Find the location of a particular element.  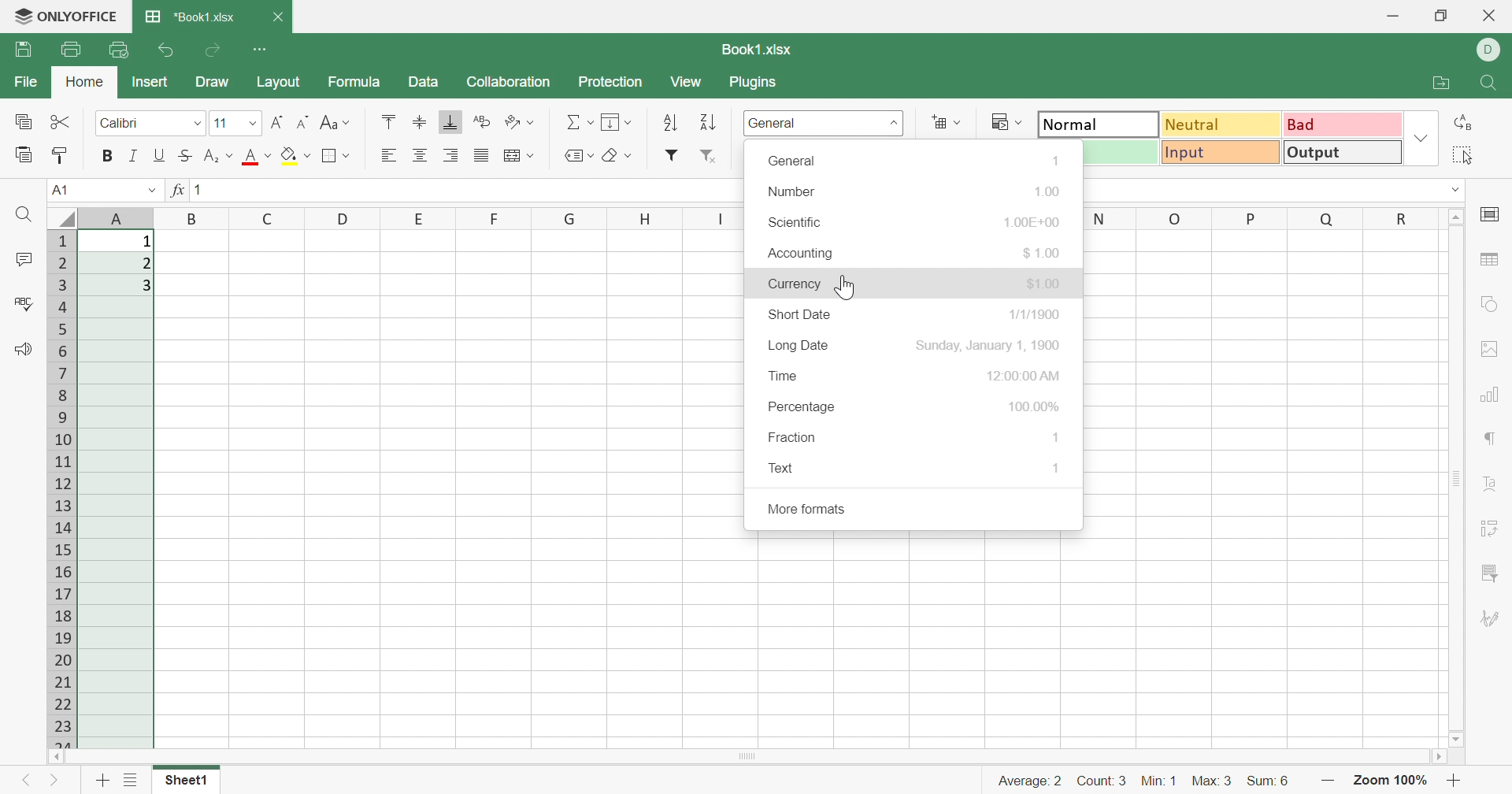

Remove filter is located at coordinates (711, 158).